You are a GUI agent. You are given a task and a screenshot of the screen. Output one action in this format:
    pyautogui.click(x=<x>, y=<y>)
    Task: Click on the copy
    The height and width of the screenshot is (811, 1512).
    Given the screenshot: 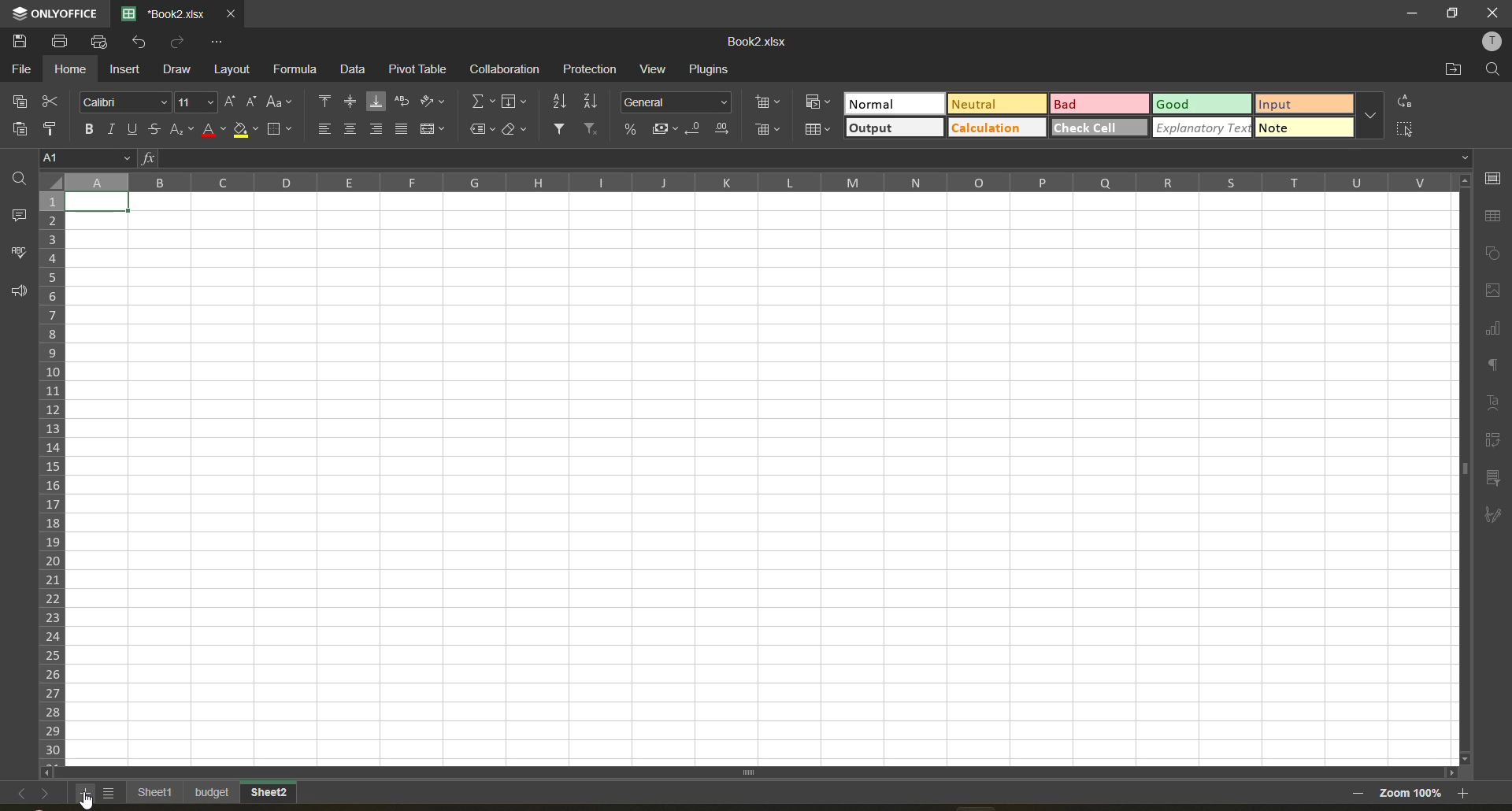 What is the action you would take?
    pyautogui.click(x=17, y=103)
    